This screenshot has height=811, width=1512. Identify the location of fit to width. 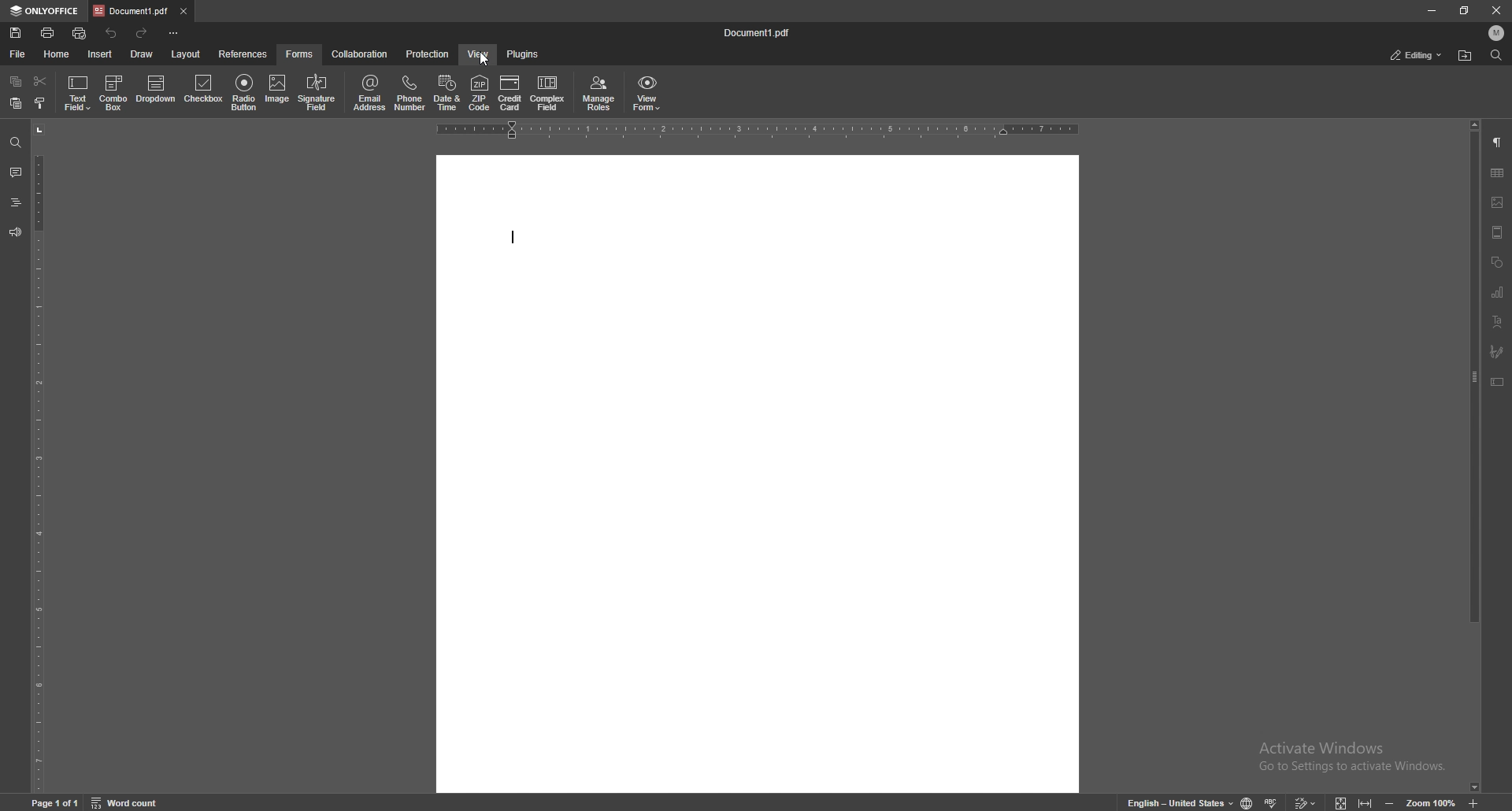
(1366, 802).